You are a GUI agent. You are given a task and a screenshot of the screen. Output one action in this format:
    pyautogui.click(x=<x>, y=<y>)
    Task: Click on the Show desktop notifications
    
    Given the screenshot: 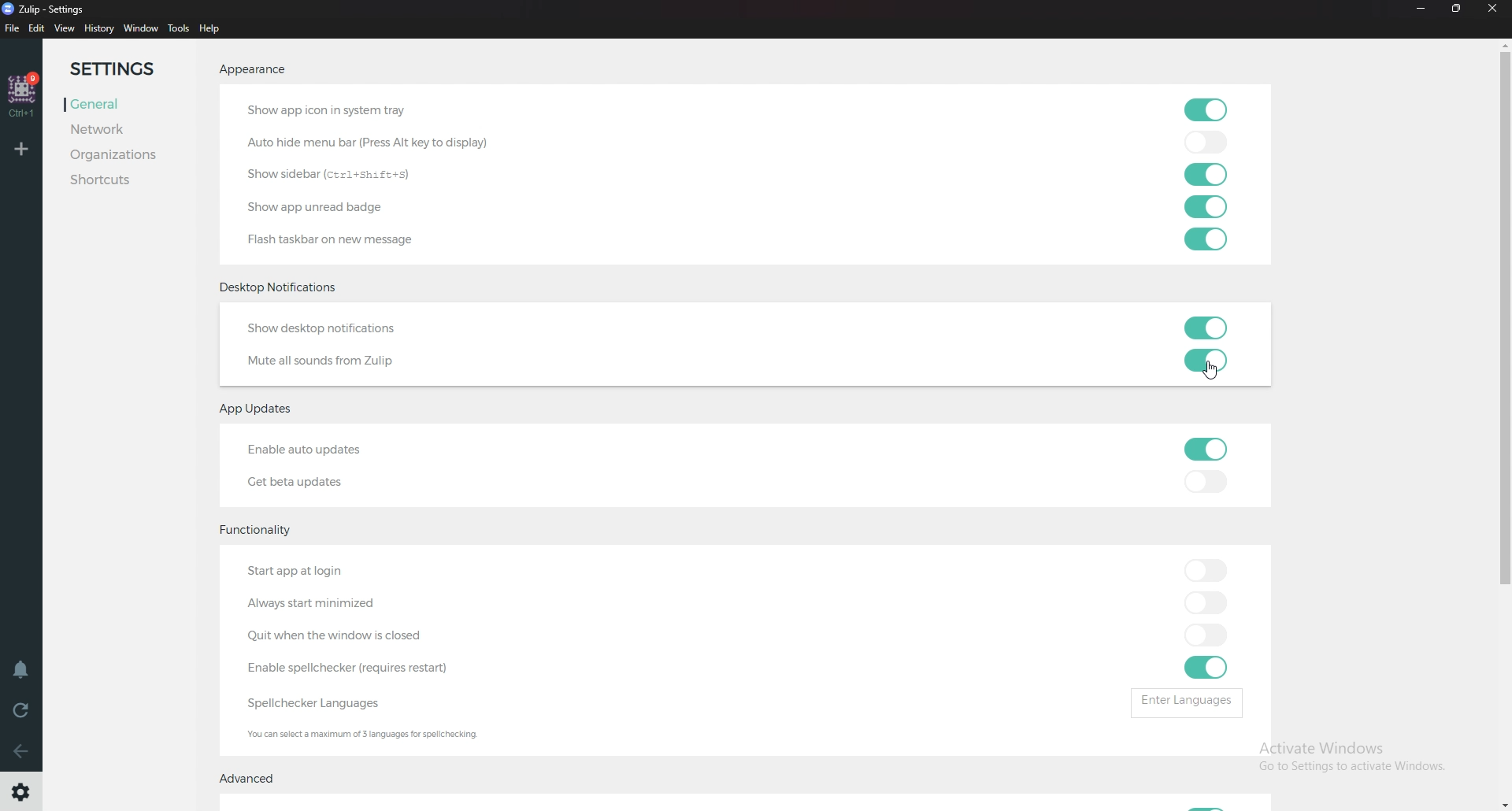 What is the action you would take?
    pyautogui.click(x=351, y=327)
    